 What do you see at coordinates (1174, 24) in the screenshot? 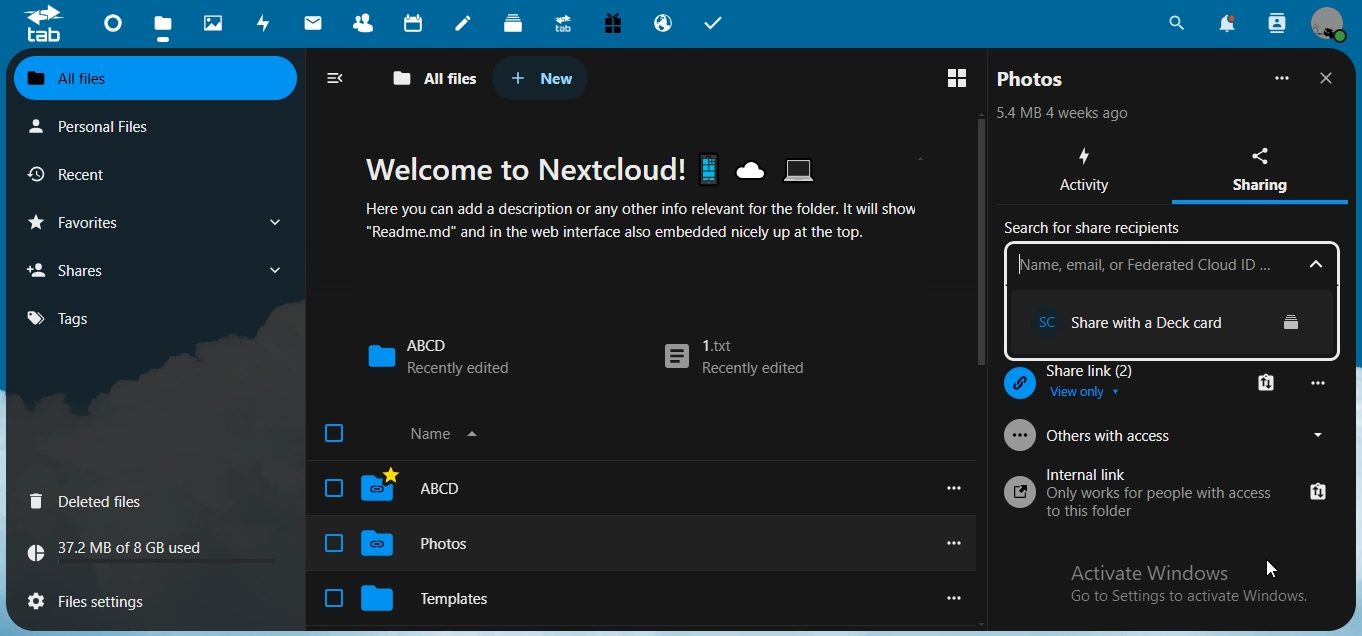
I see `search` at bounding box center [1174, 24].